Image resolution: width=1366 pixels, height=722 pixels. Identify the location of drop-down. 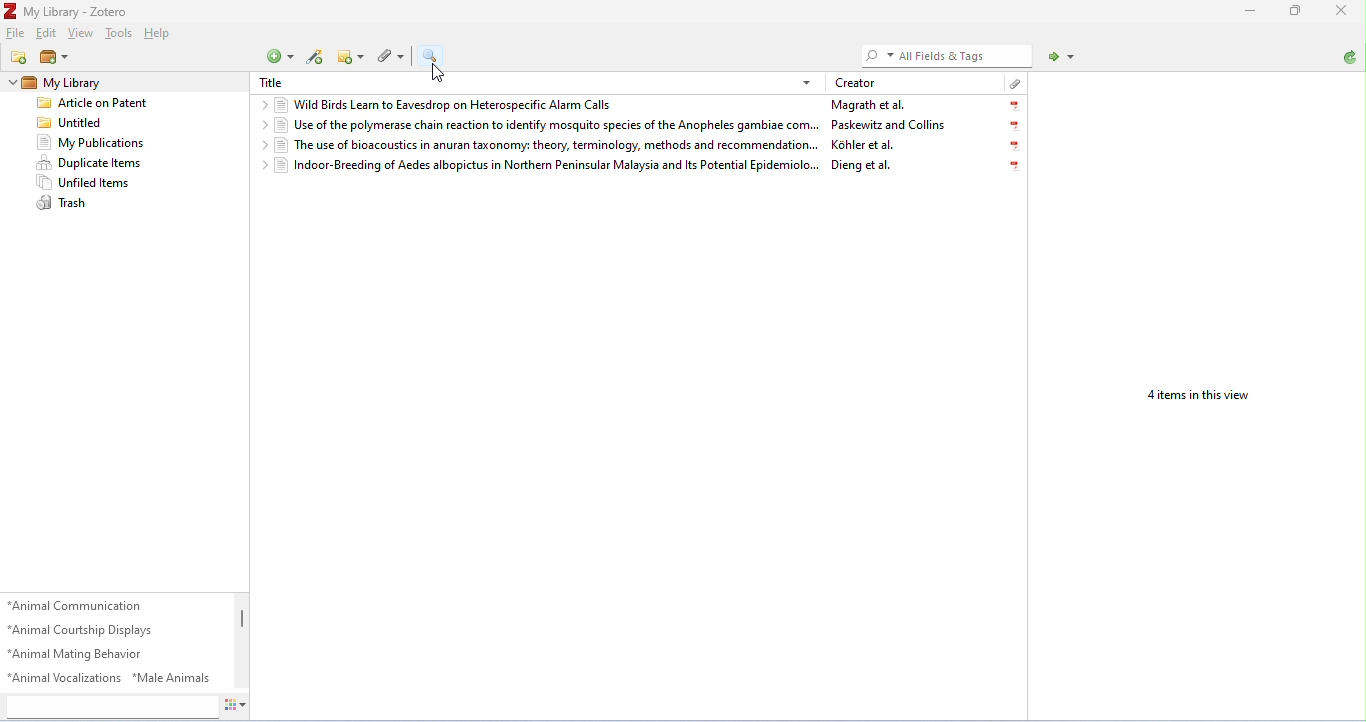
(259, 165).